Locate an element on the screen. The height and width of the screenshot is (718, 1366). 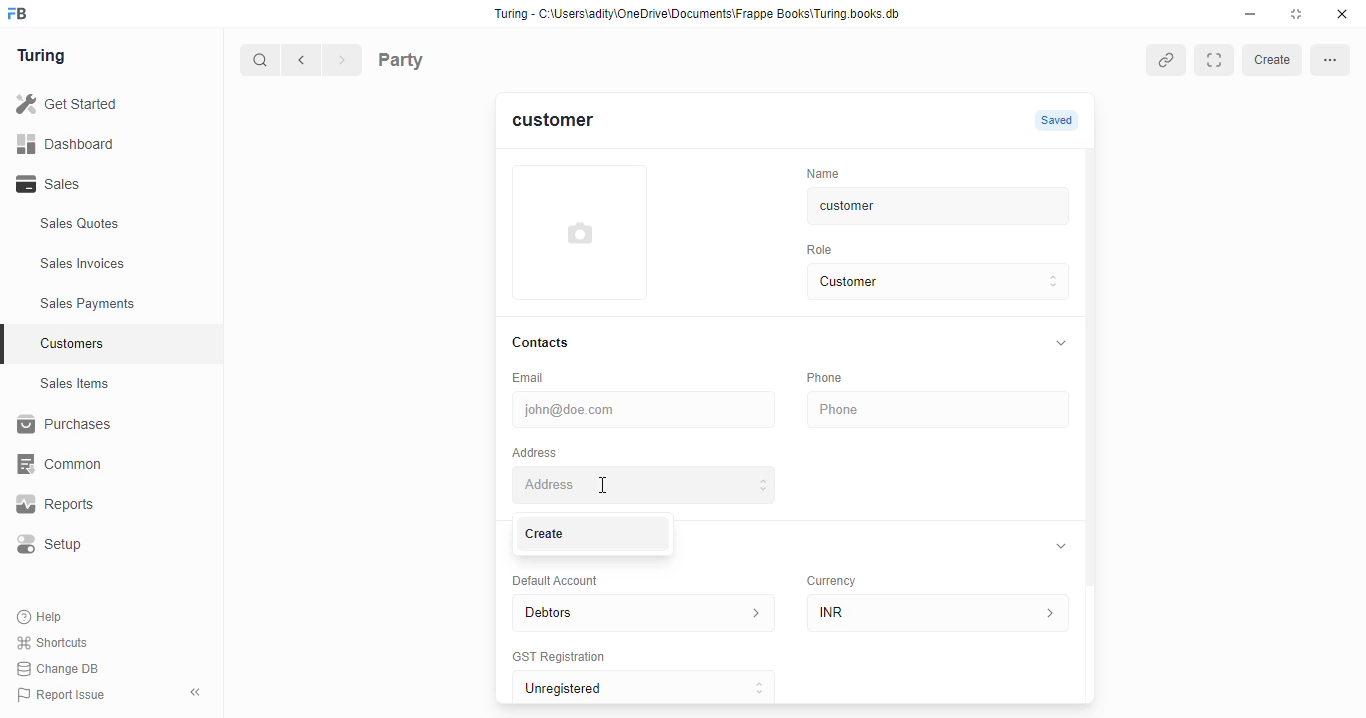
‘Common is located at coordinates (100, 464).